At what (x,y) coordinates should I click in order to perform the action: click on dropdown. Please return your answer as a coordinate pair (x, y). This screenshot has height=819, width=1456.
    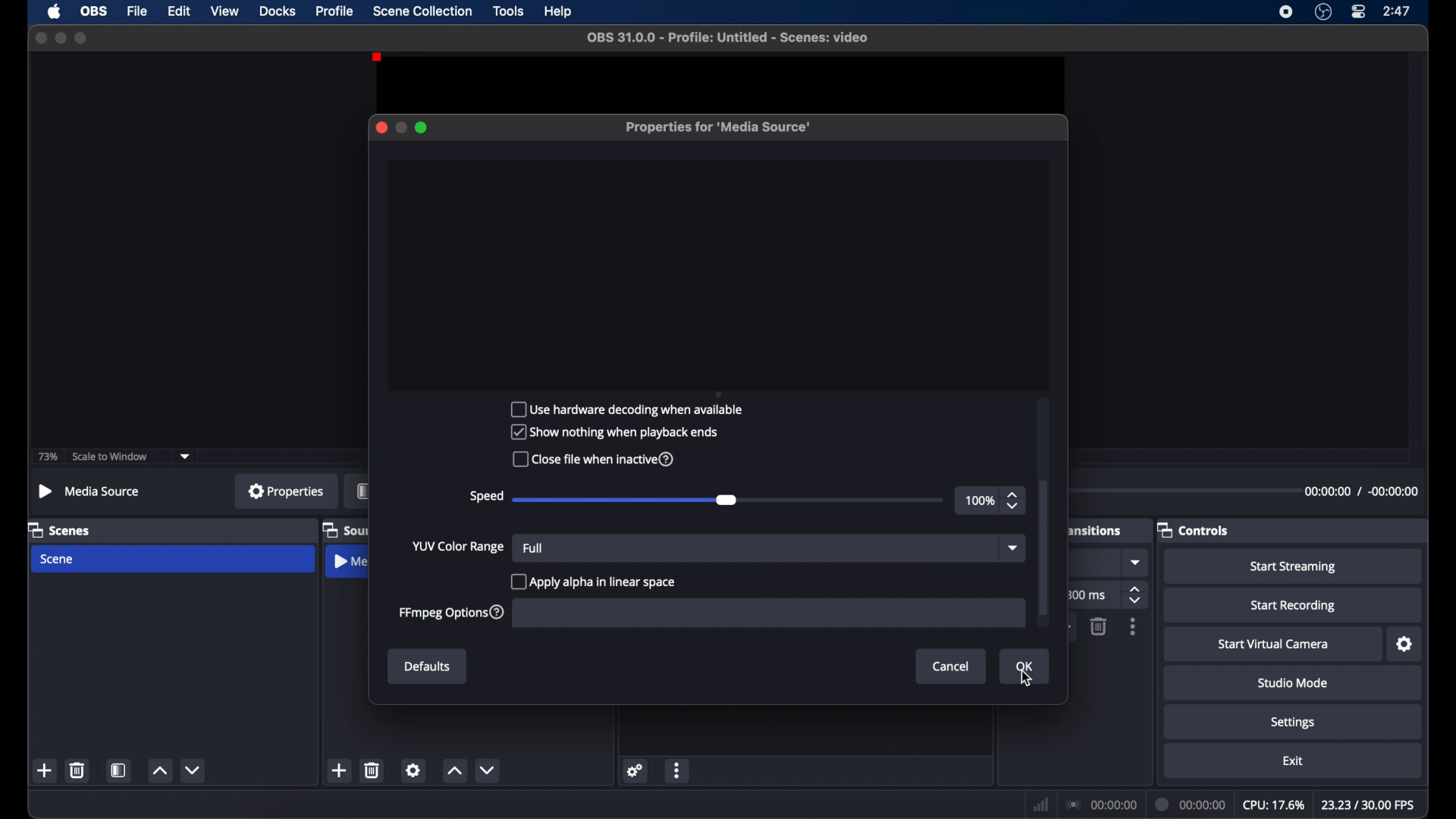
    Looking at the image, I should click on (1013, 547).